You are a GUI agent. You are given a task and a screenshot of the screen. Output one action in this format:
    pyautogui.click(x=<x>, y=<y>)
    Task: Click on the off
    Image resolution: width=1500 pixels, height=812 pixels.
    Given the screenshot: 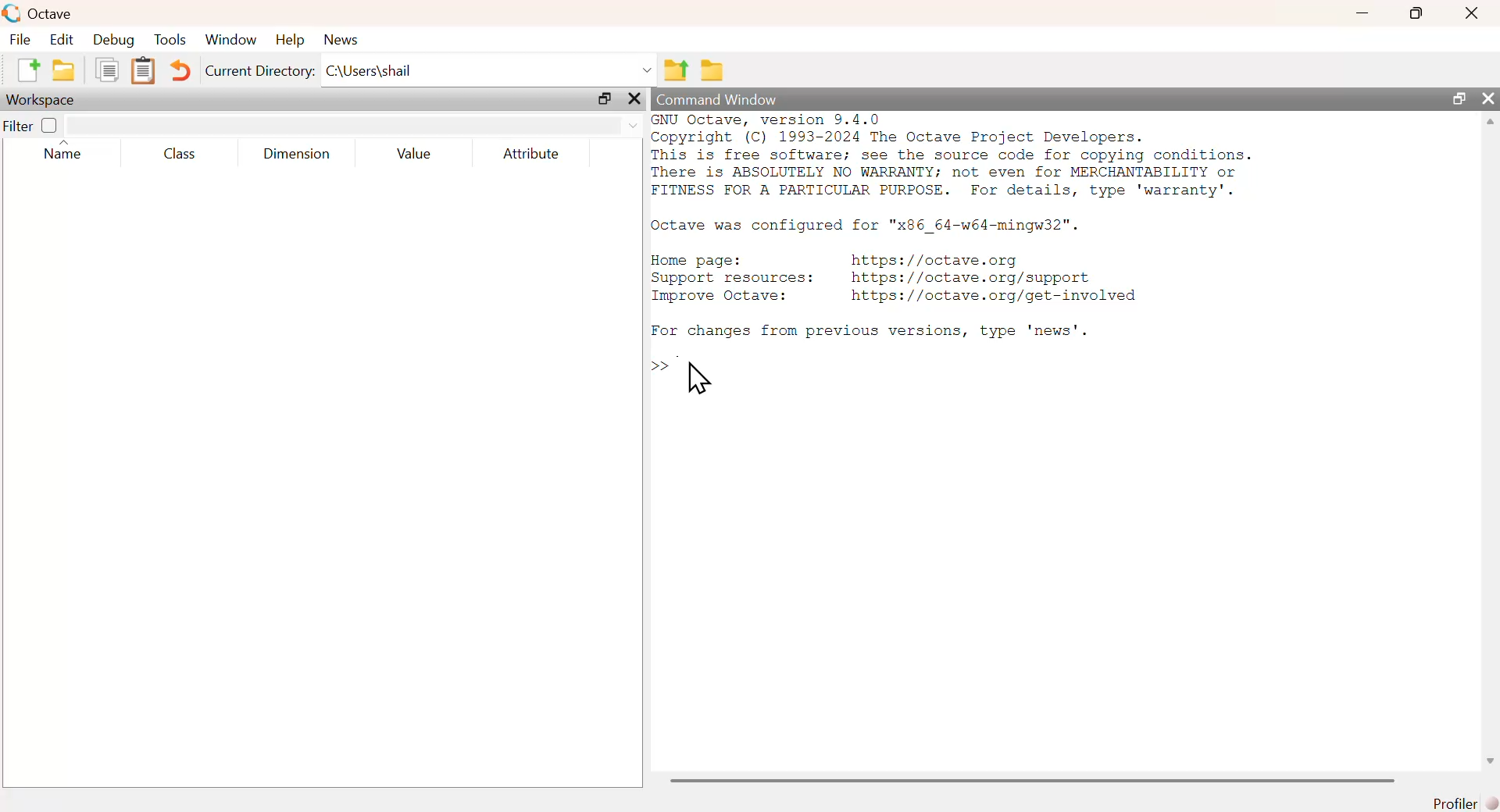 What is the action you would take?
    pyautogui.click(x=50, y=126)
    